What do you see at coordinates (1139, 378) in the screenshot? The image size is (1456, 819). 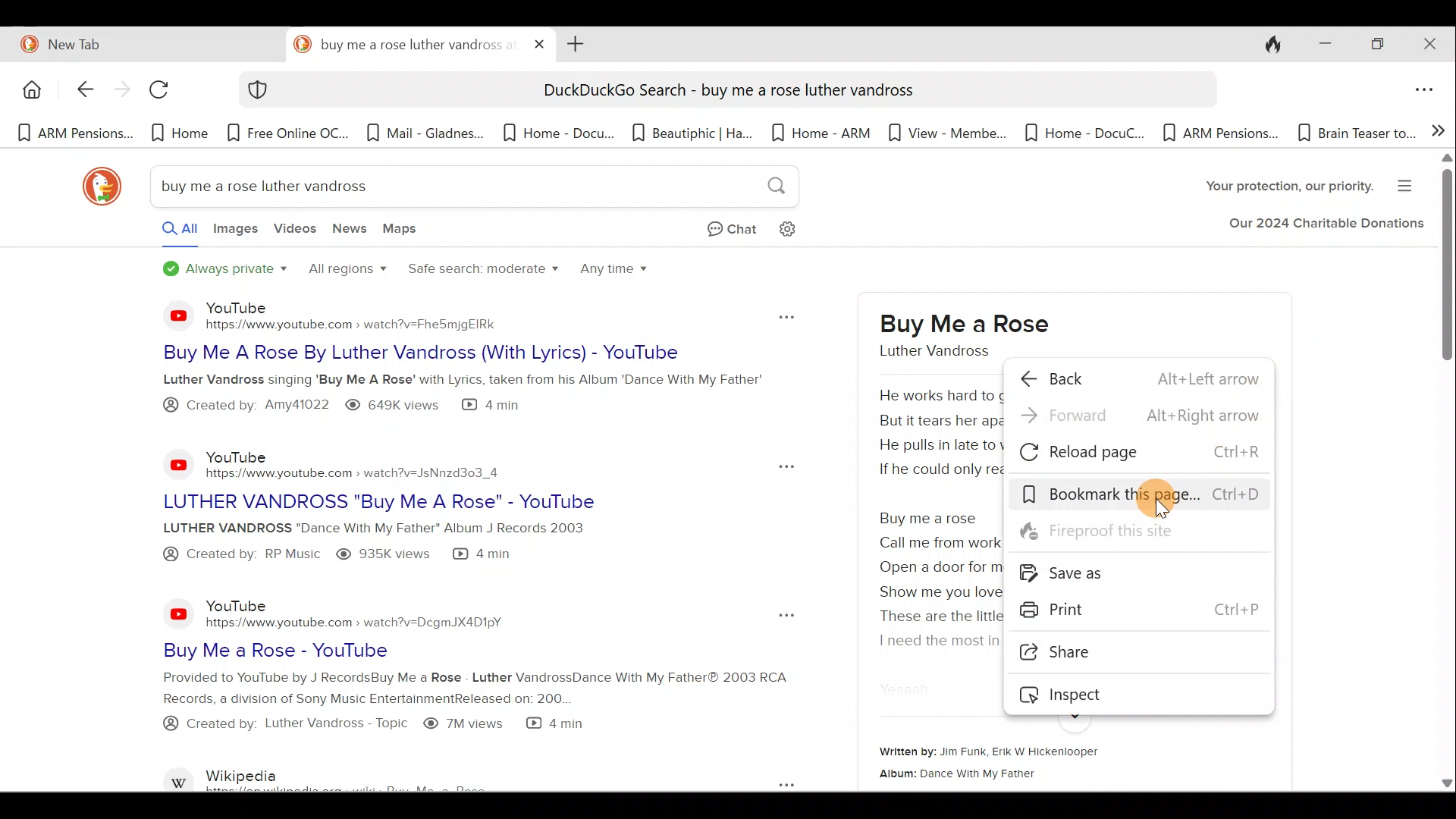 I see `Back` at bounding box center [1139, 378].